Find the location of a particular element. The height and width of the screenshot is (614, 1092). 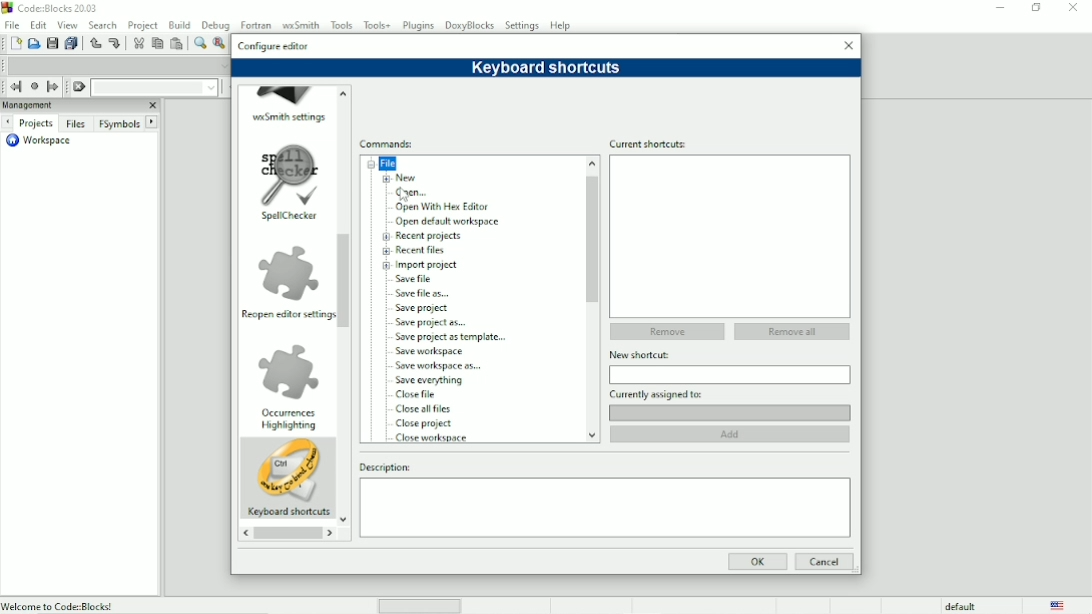

Help is located at coordinates (562, 25).